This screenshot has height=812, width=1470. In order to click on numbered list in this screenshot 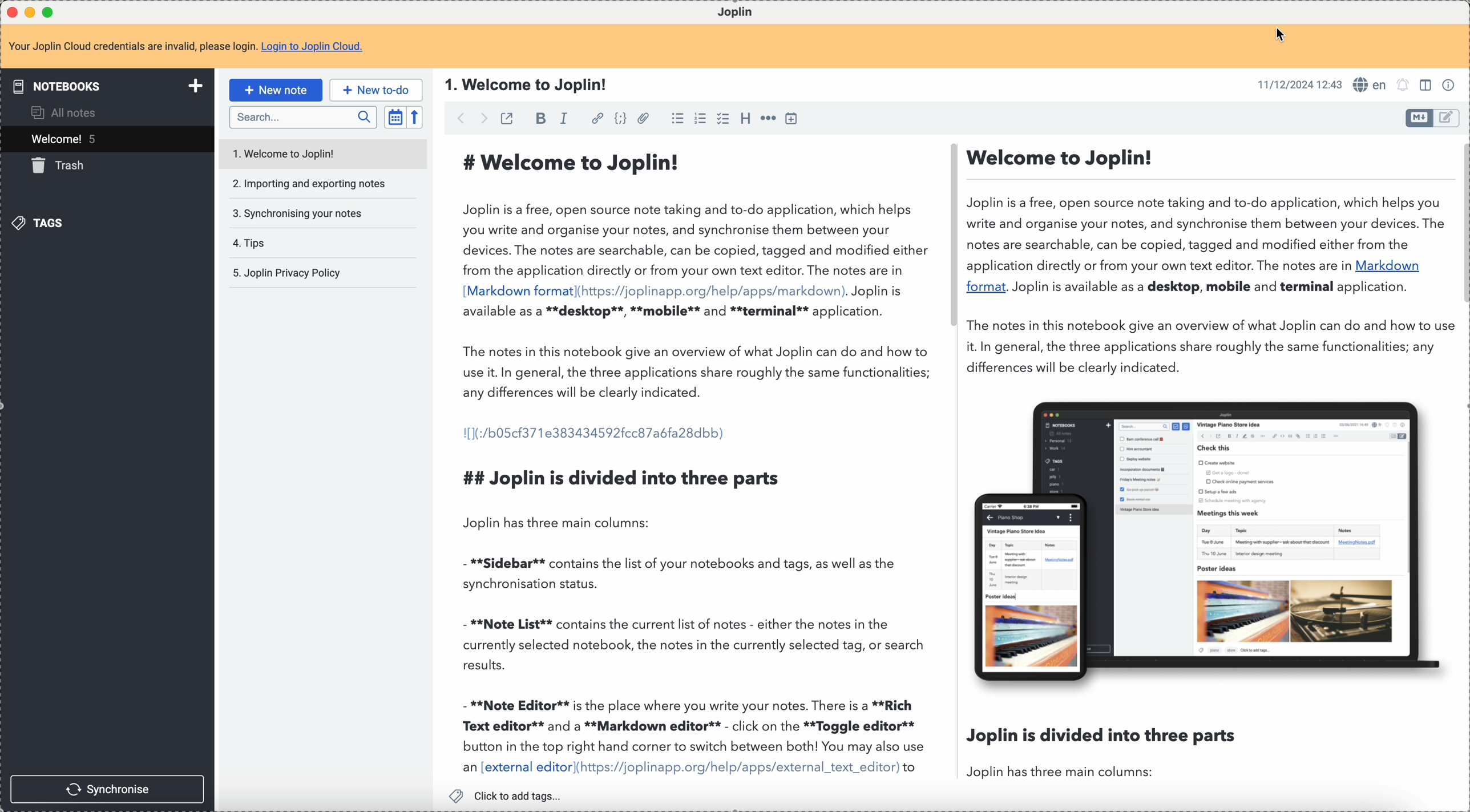, I will do `click(702, 118)`.